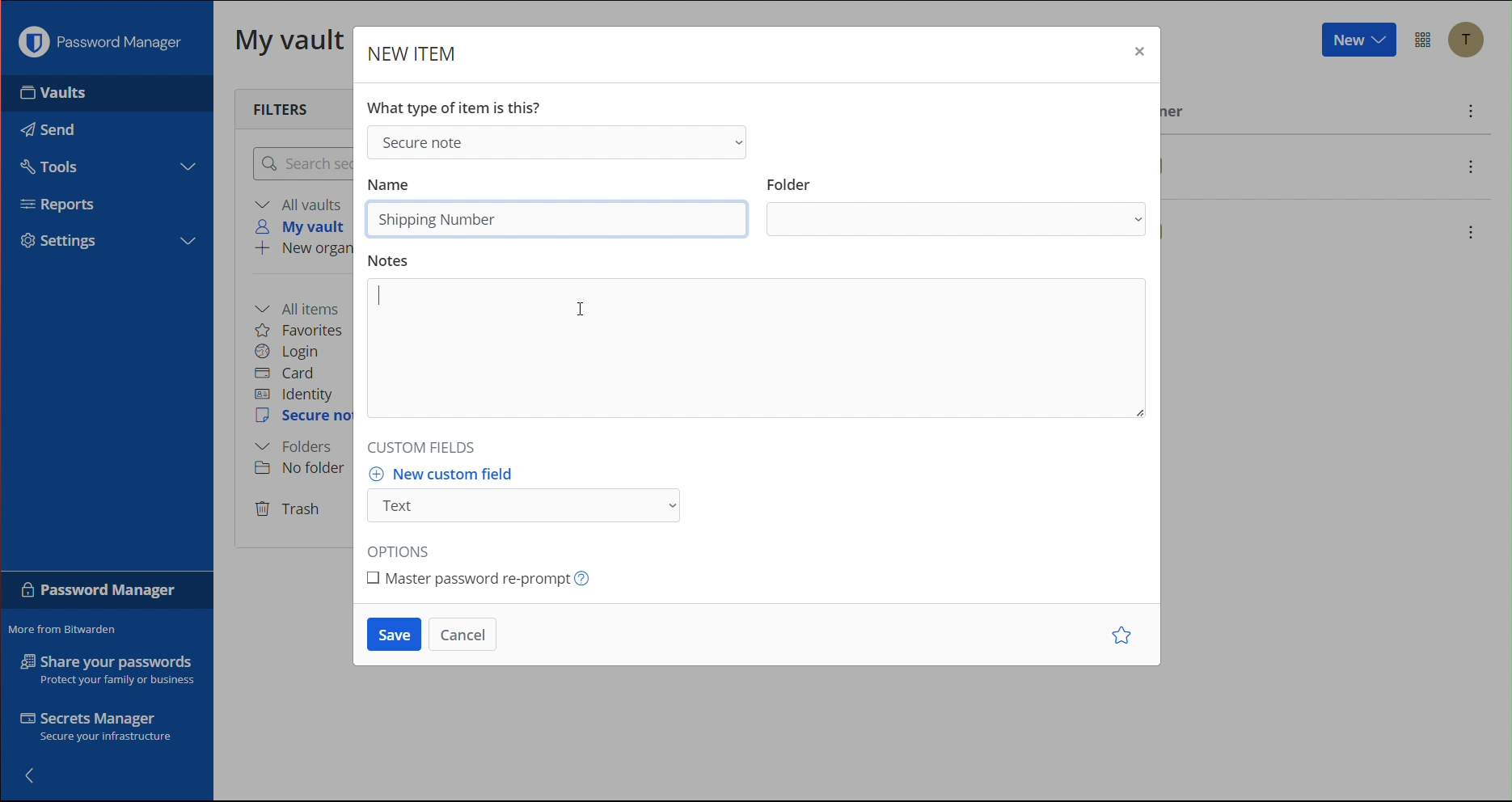 This screenshot has width=1512, height=802. What do you see at coordinates (303, 165) in the screenshot?
I see `Search Bar` at bounding box center [303, 165].